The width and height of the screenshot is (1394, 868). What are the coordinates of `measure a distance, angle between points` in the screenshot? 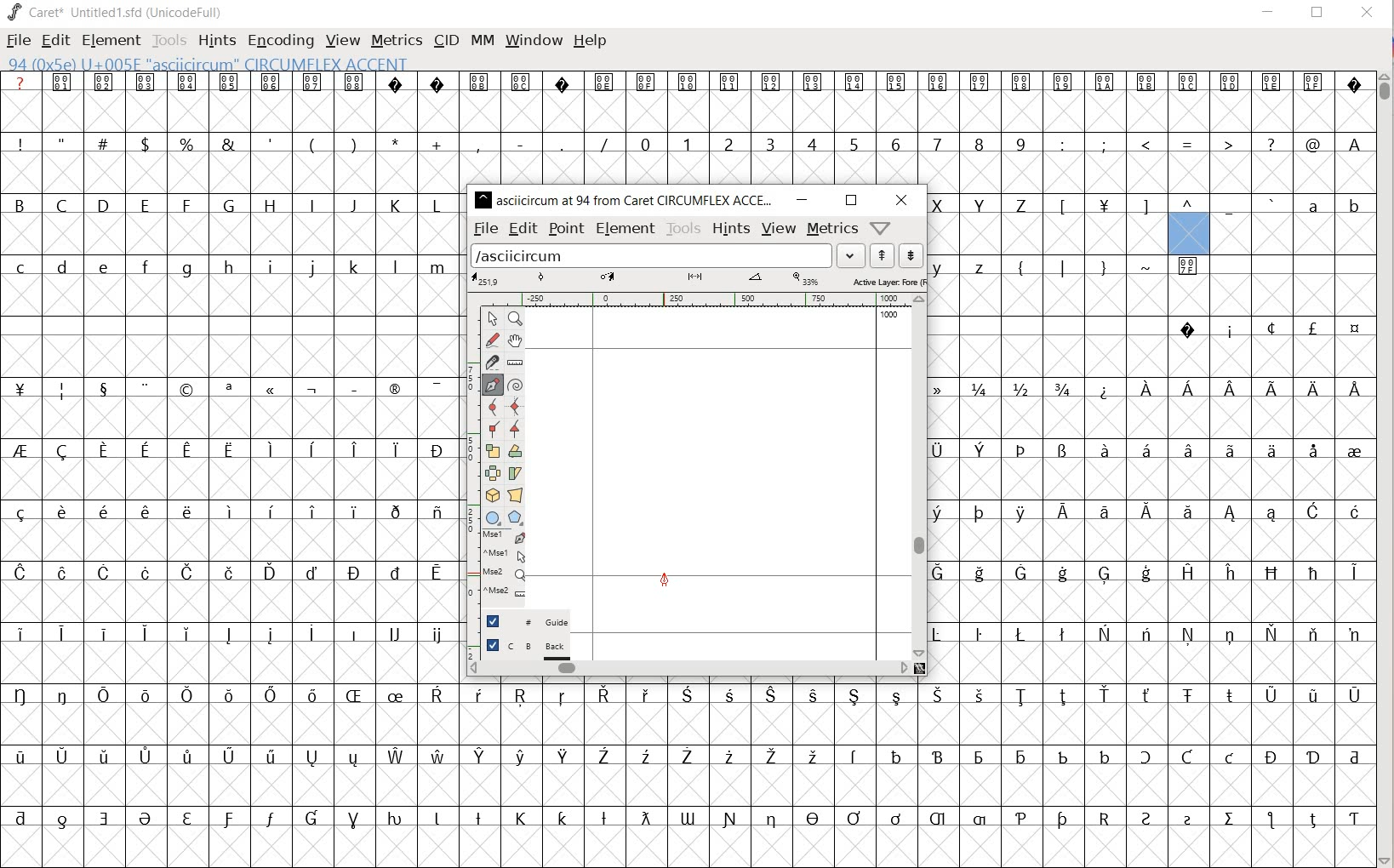 It's located at (517, 362).